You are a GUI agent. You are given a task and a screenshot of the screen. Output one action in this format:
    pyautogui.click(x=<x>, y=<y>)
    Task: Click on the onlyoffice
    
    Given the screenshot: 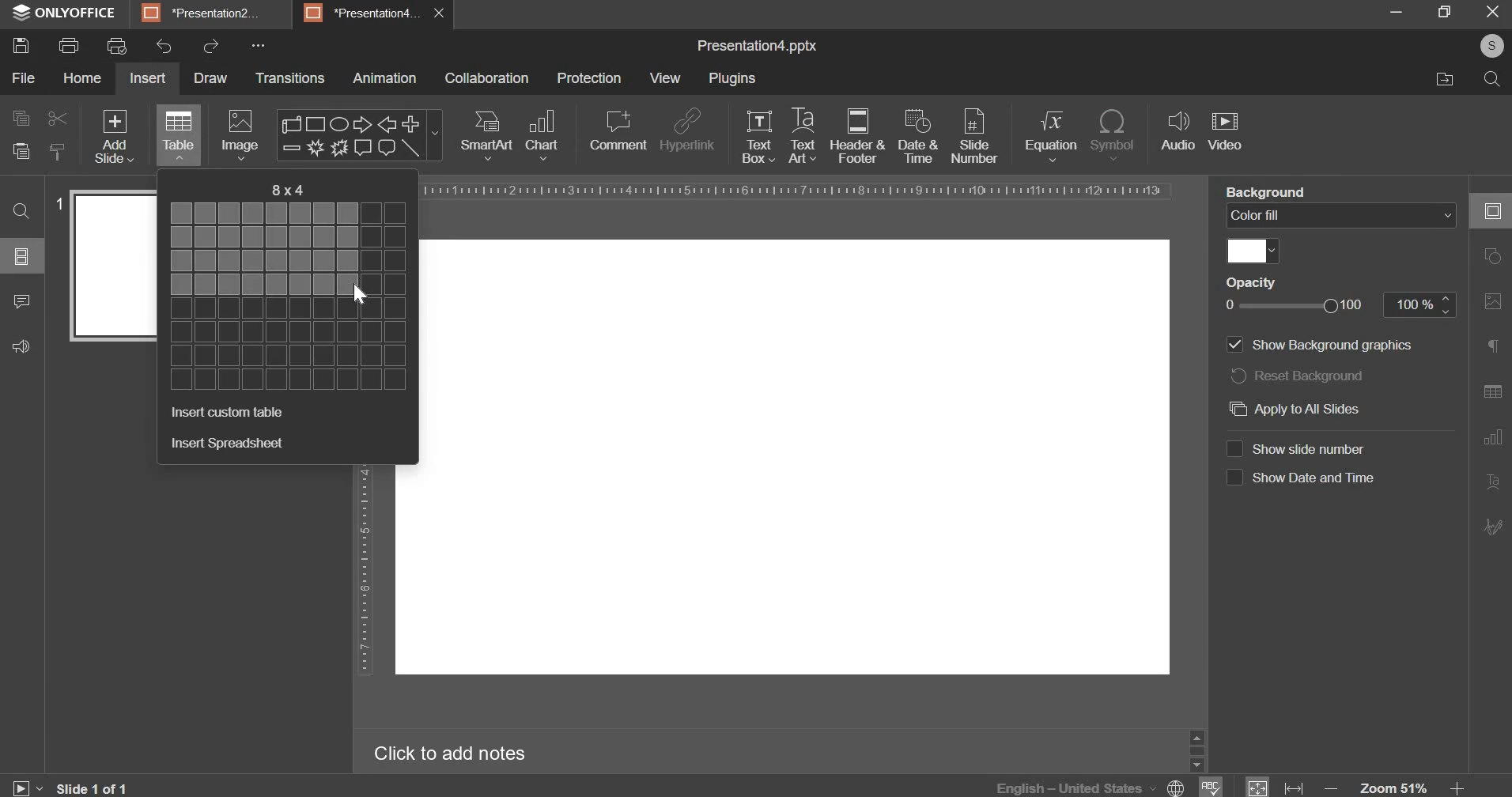 What is the action you would take?
    pyautogui.click(x=65, y=12)
    